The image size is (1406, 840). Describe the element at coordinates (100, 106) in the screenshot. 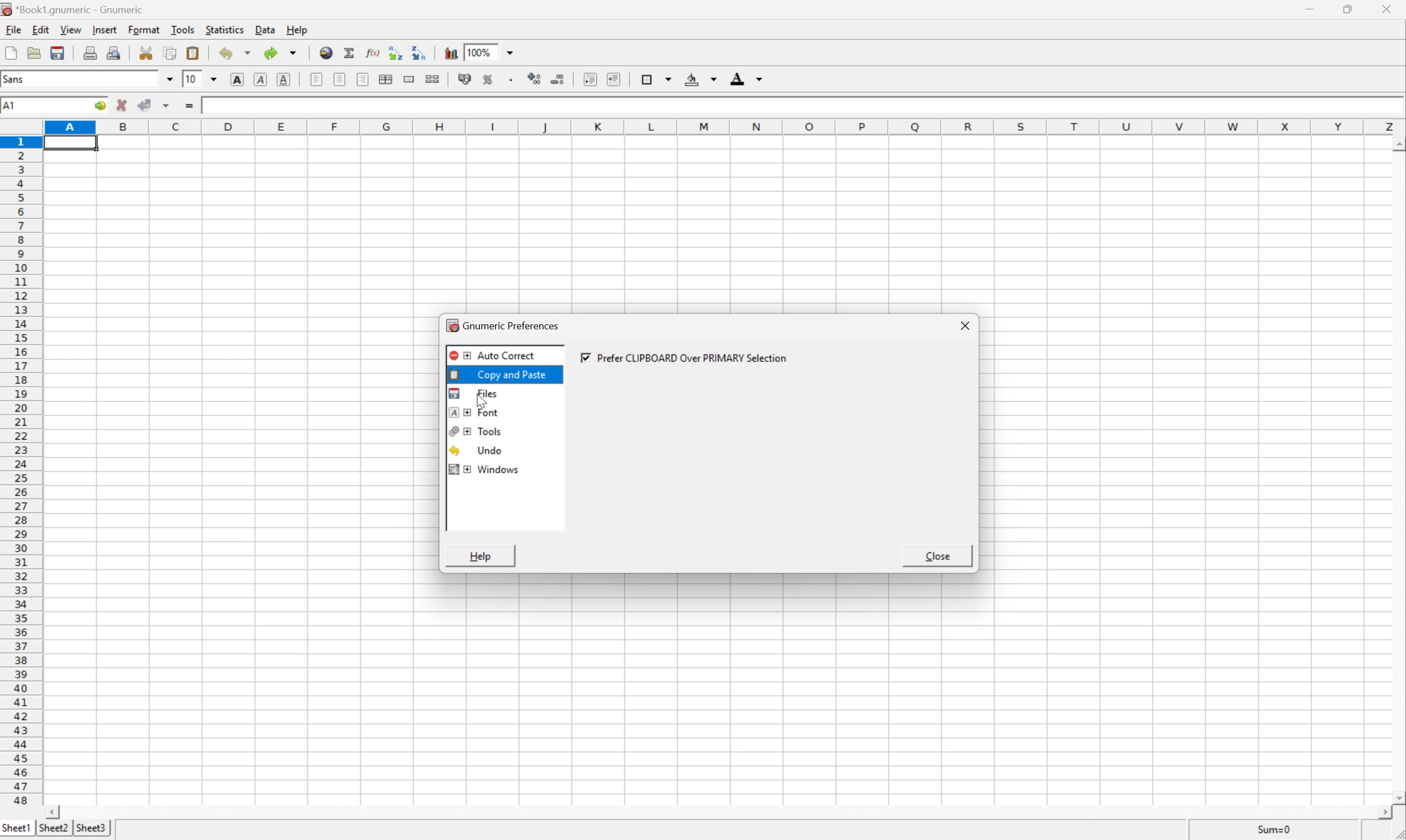

I see `go to` at that location.